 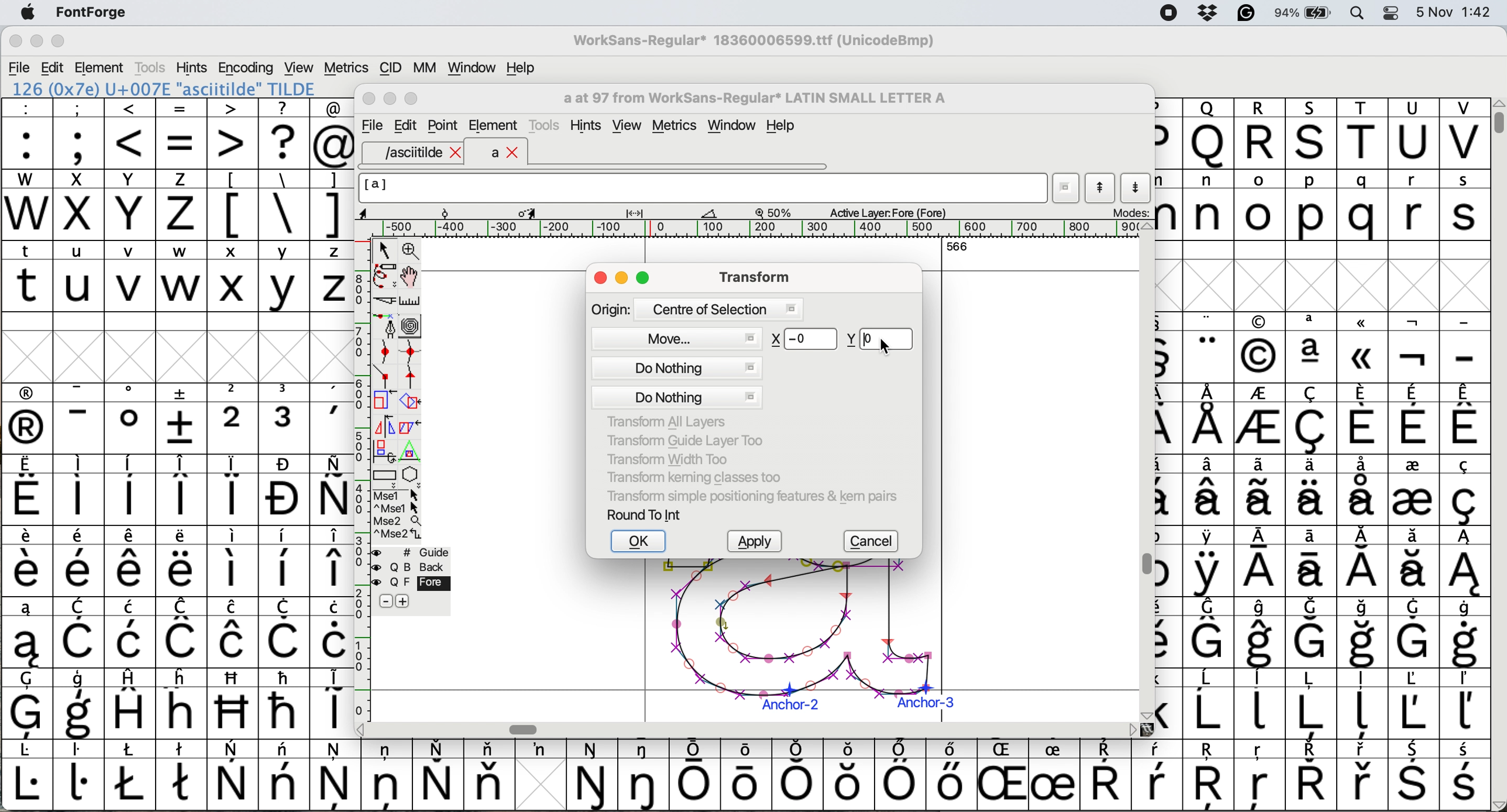 I want to click on rotate the selection, so click(x=416, y=402).